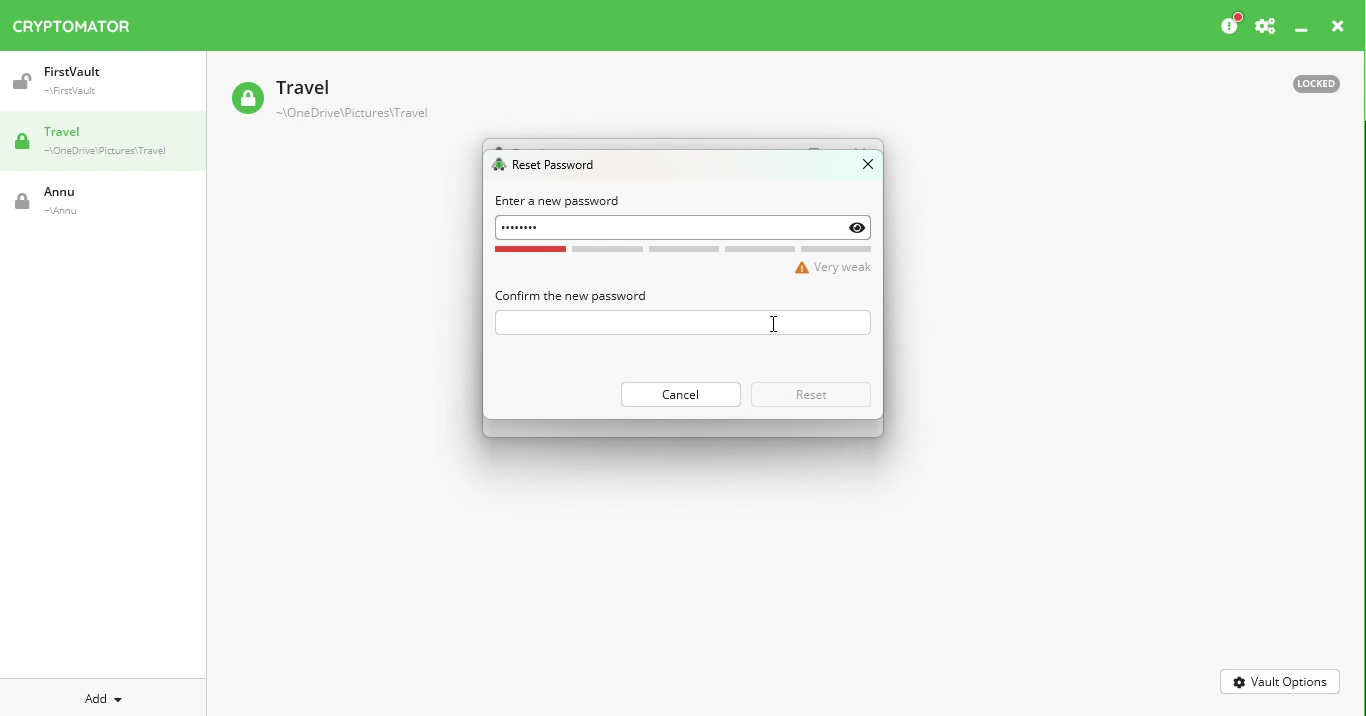  I want to click on Close, so click(1338, 29).